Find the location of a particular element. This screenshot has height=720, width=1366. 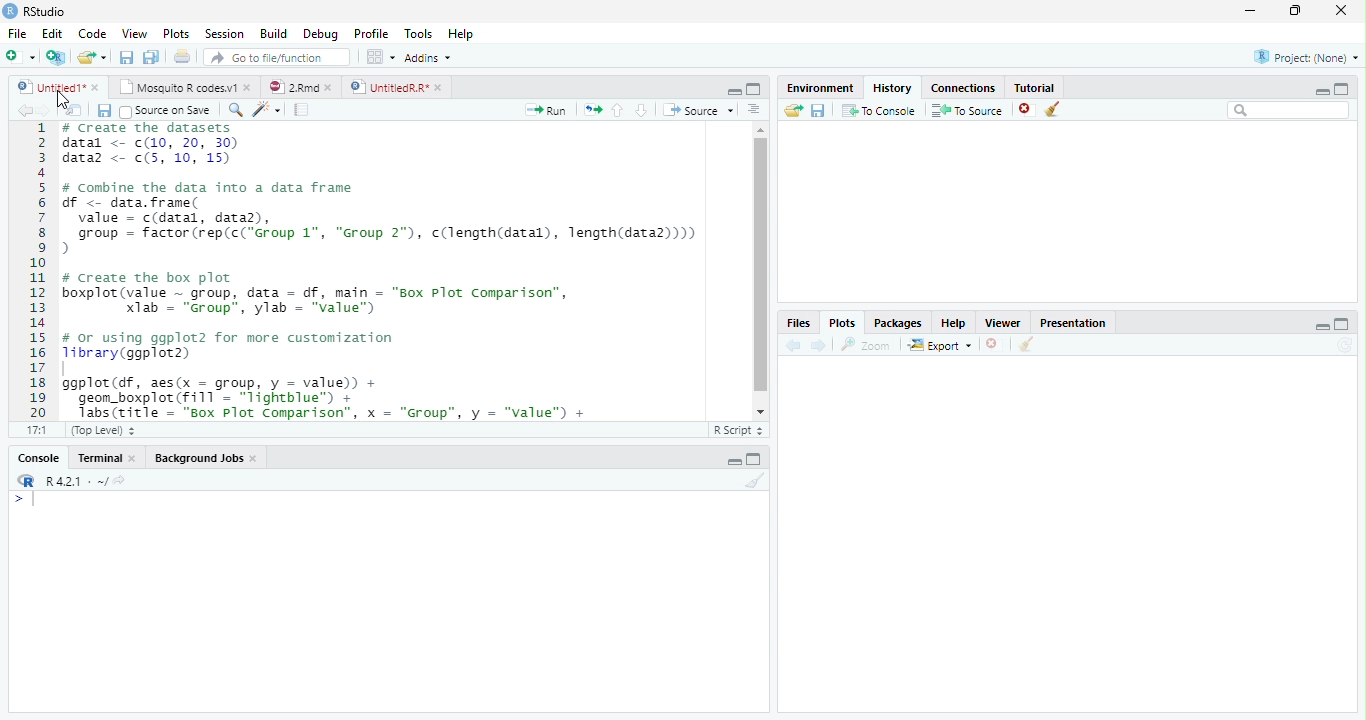

R 4.2.1 . ~/ is located at coordinates (76, 480).